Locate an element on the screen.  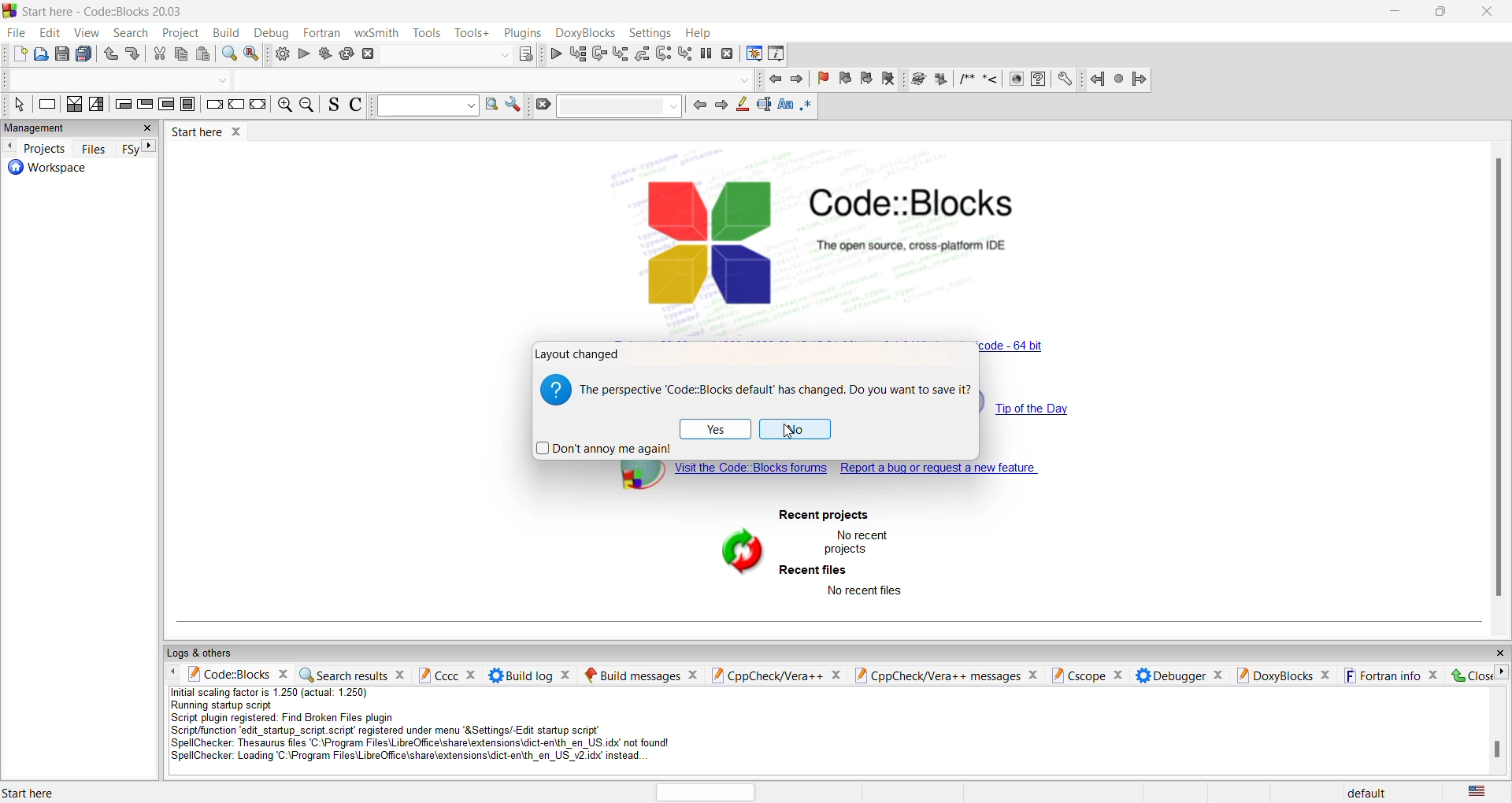
counting loop is located at coordinates (168, 105).